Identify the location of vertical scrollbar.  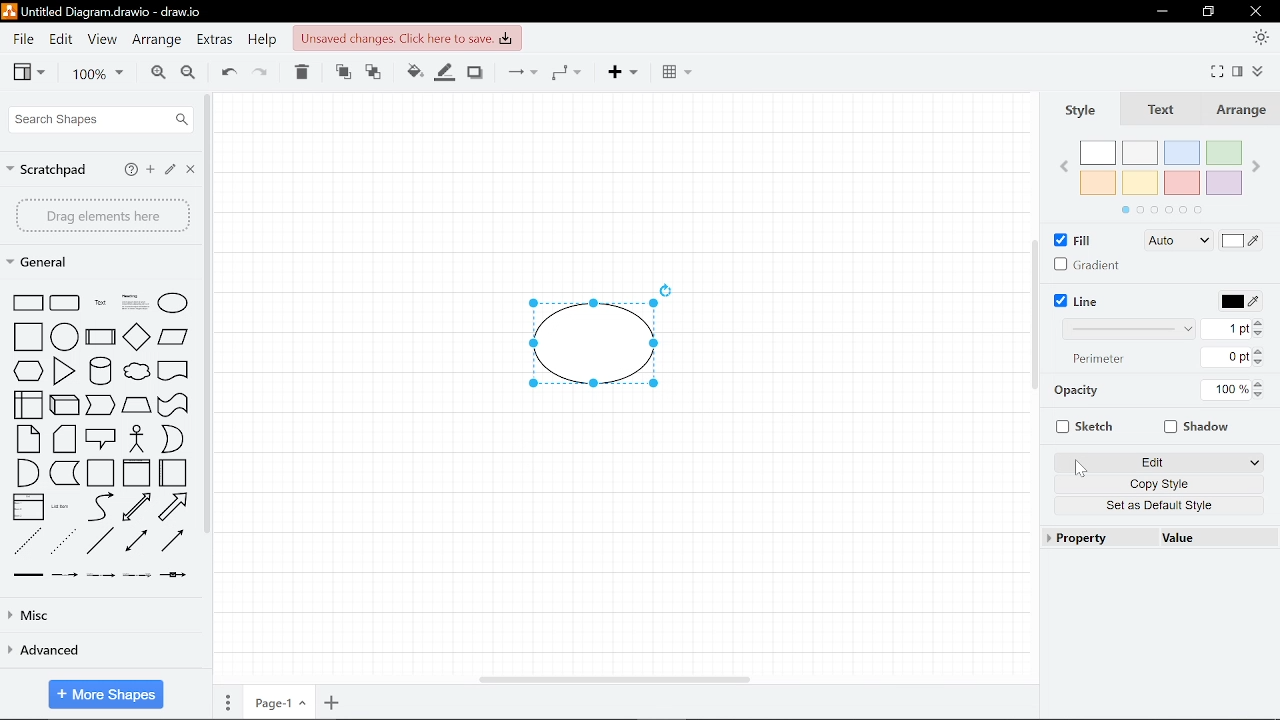
(1035, 315).